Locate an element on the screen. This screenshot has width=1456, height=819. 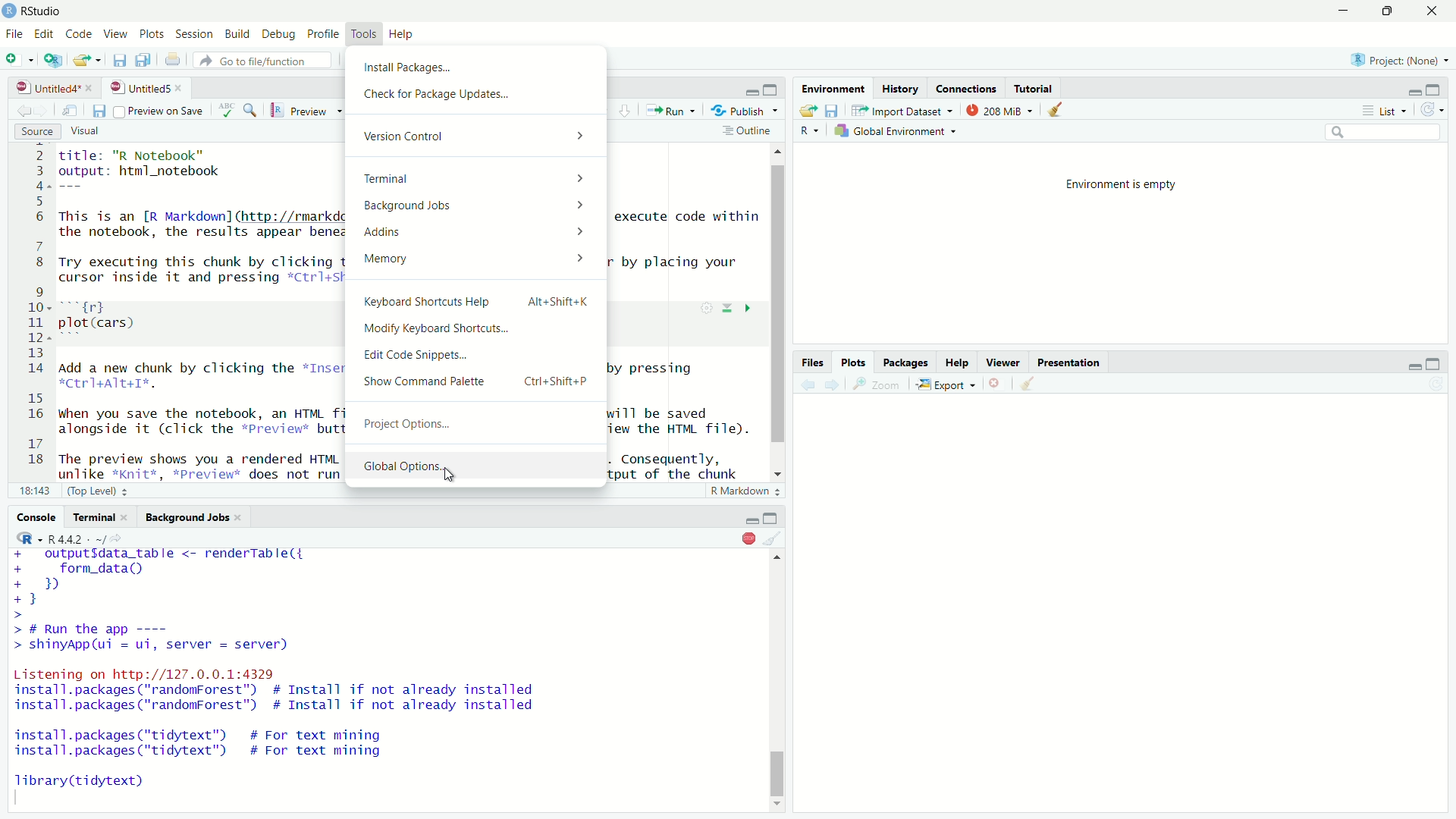
RStudio is located at coordinates (44, 11).